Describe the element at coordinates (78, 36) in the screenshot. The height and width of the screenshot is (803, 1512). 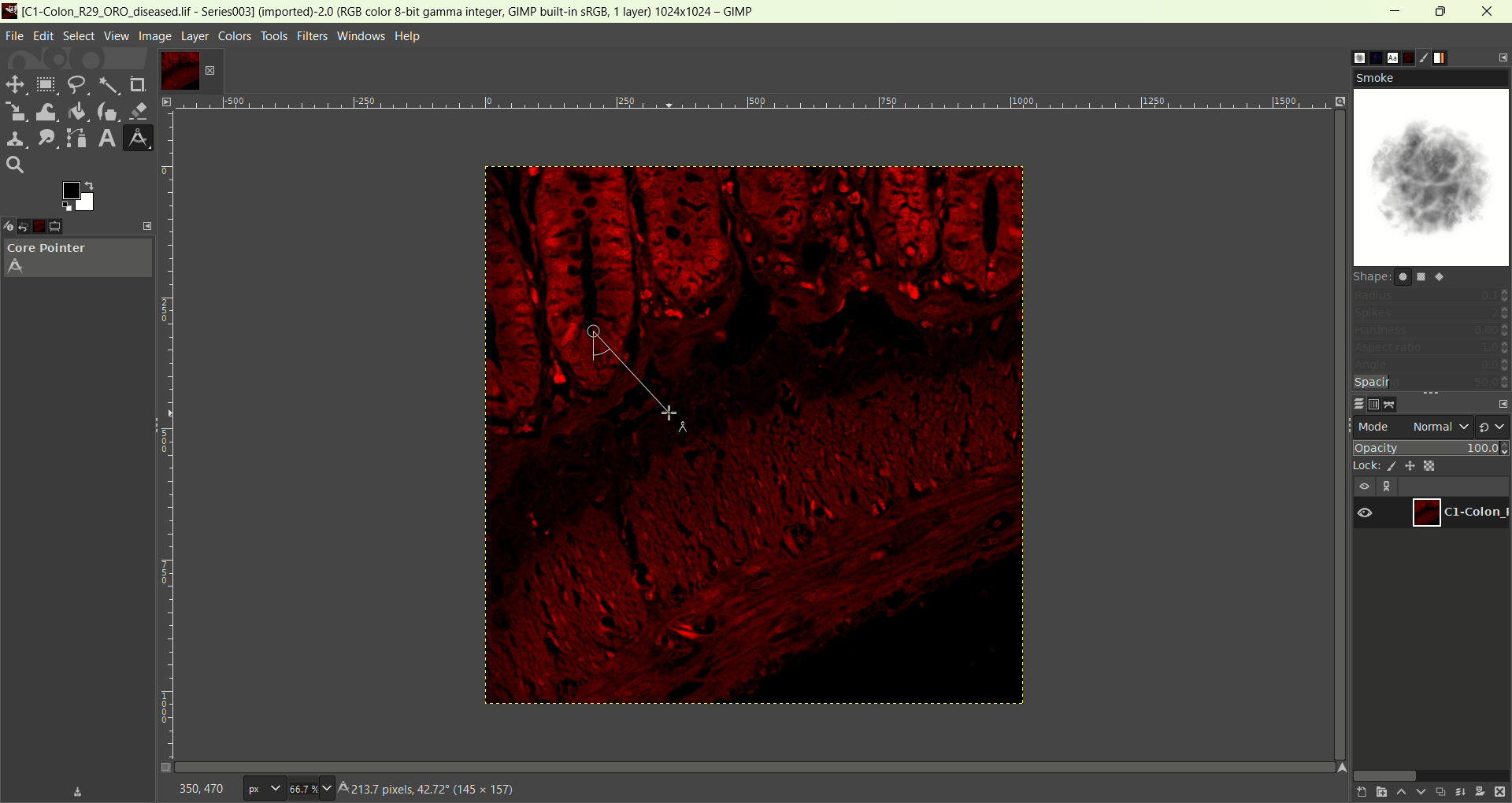
I see `select` at that location.